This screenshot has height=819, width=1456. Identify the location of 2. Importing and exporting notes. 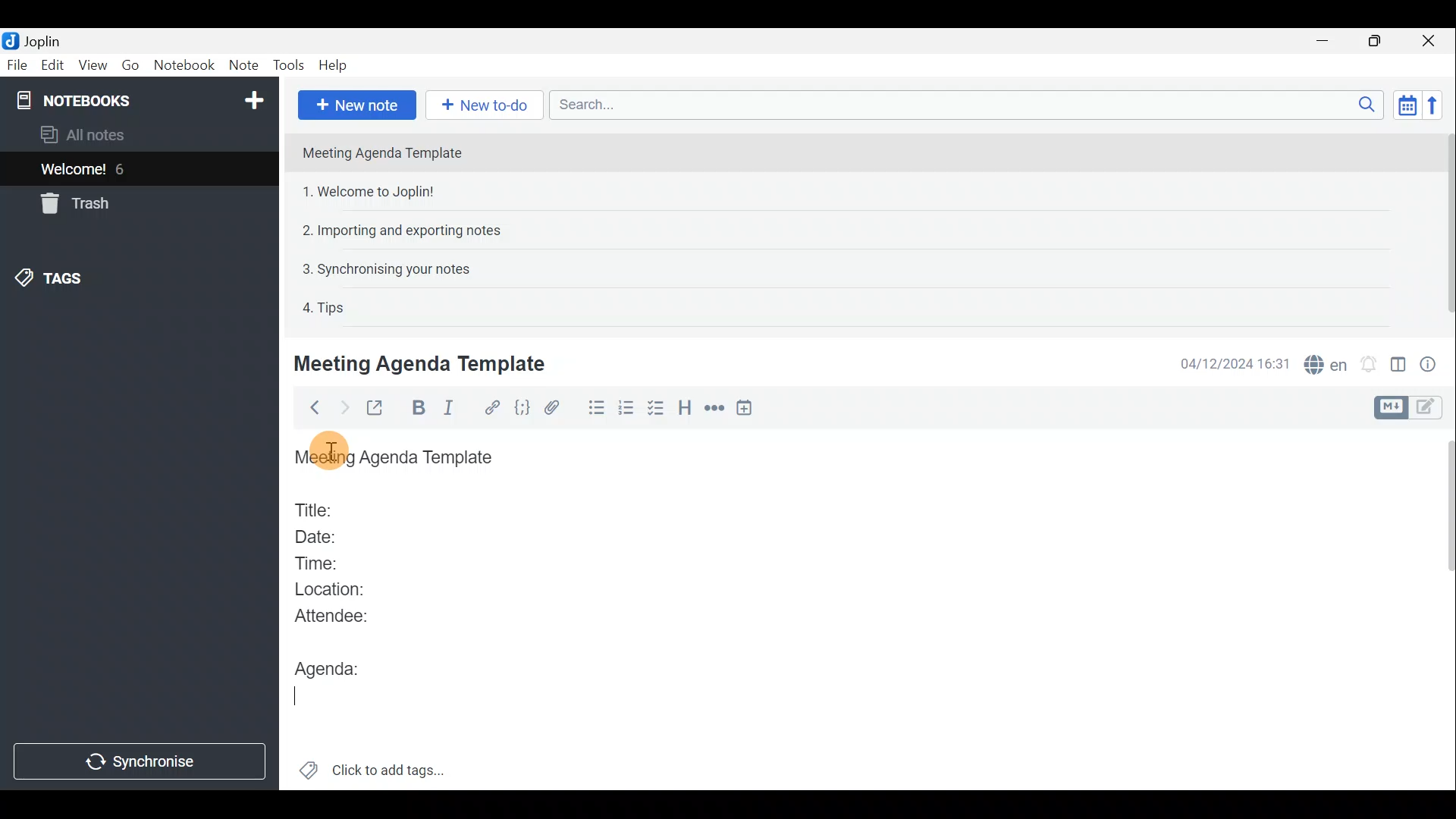
(407, 231).